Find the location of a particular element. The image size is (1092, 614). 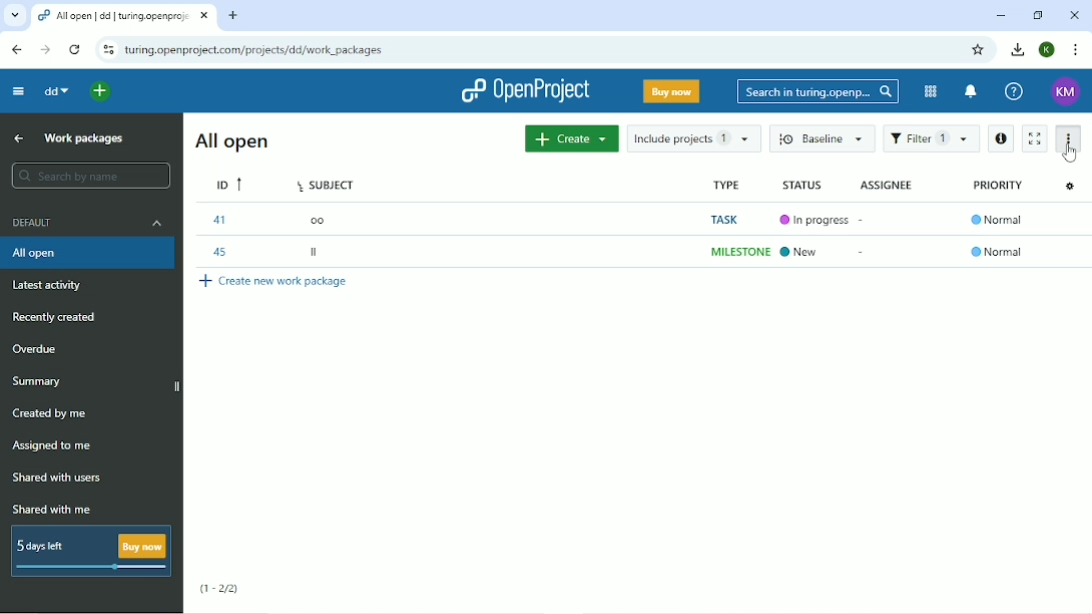

(1-2/2) is located at coordinates (220, 589).